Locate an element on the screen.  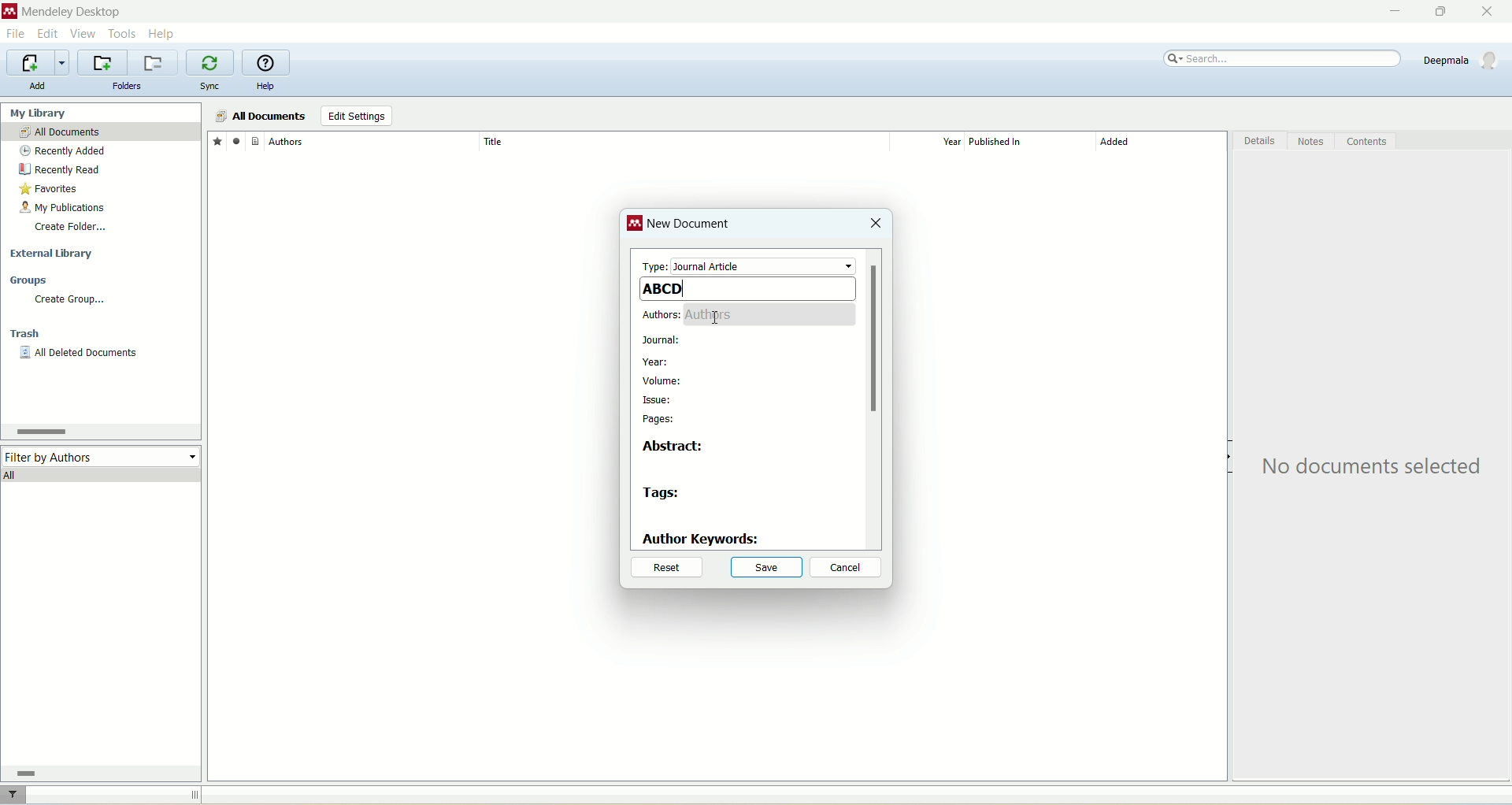
maximize is located at coordinates (1437, 12).